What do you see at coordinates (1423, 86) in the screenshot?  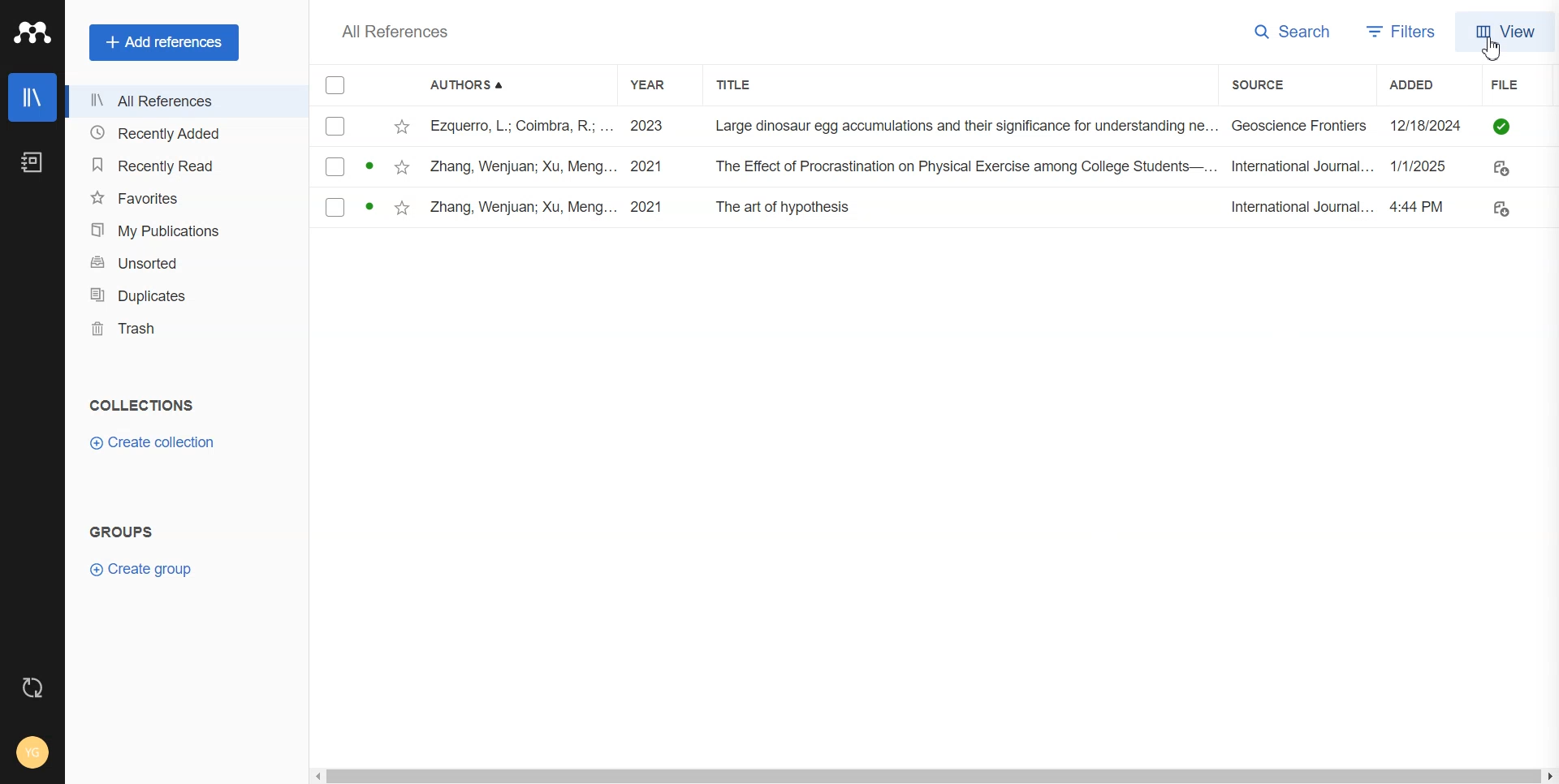 I see `Added ` at bounding box center [1423, 86].